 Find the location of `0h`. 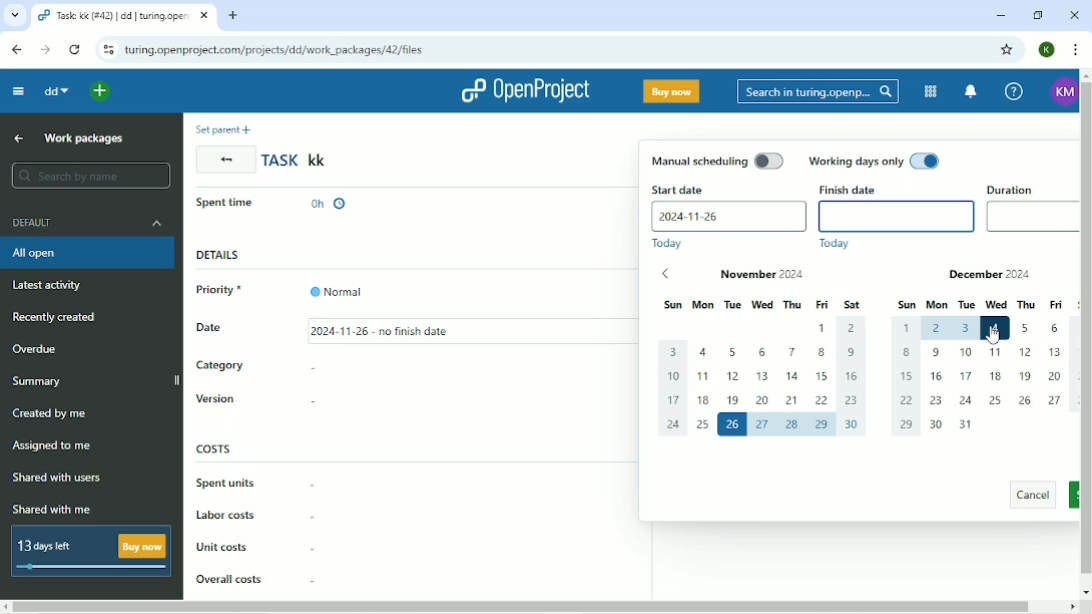

0h is located at coordinates (329, 200).